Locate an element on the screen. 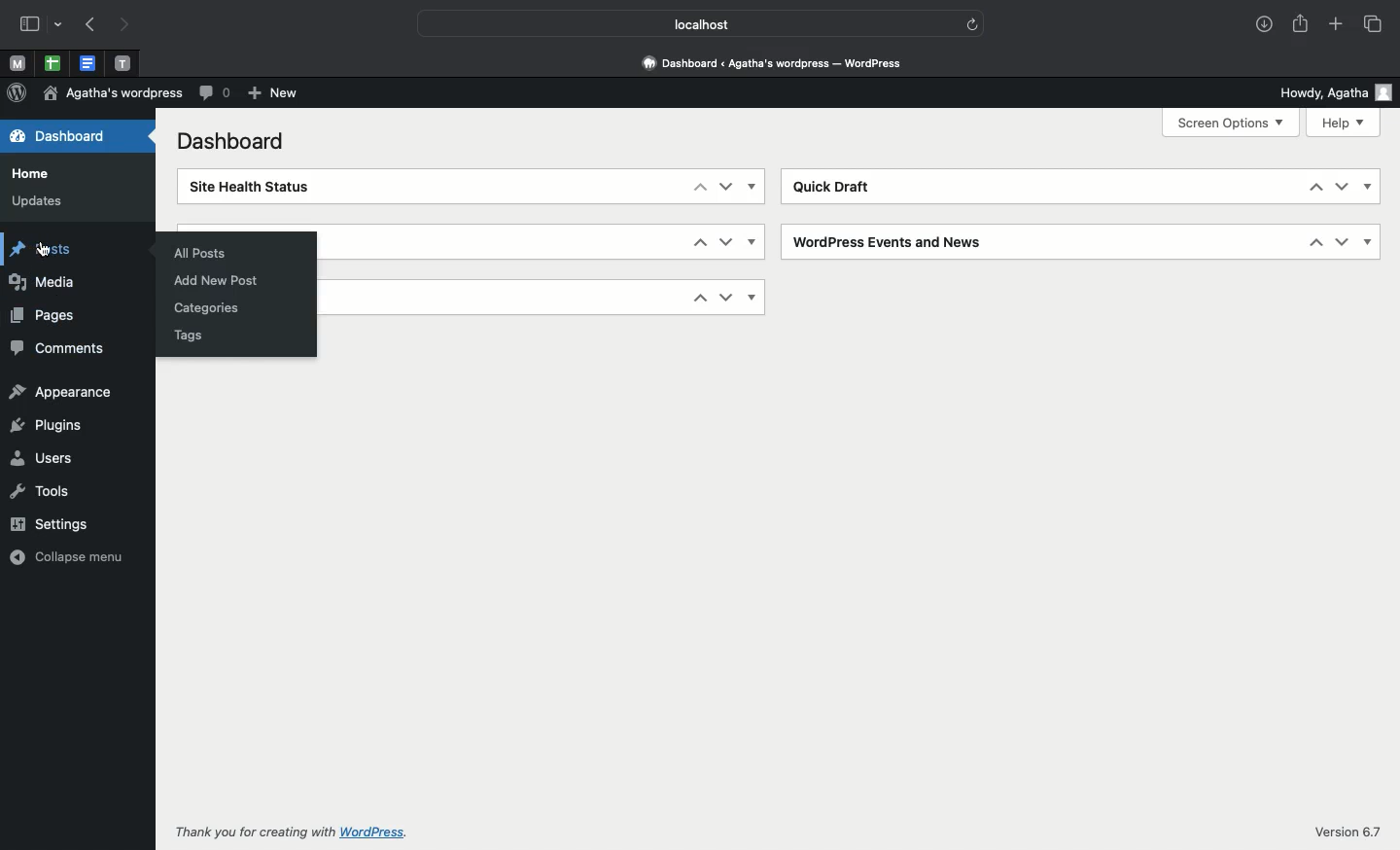  cursor is located at coordinates (43, 249).